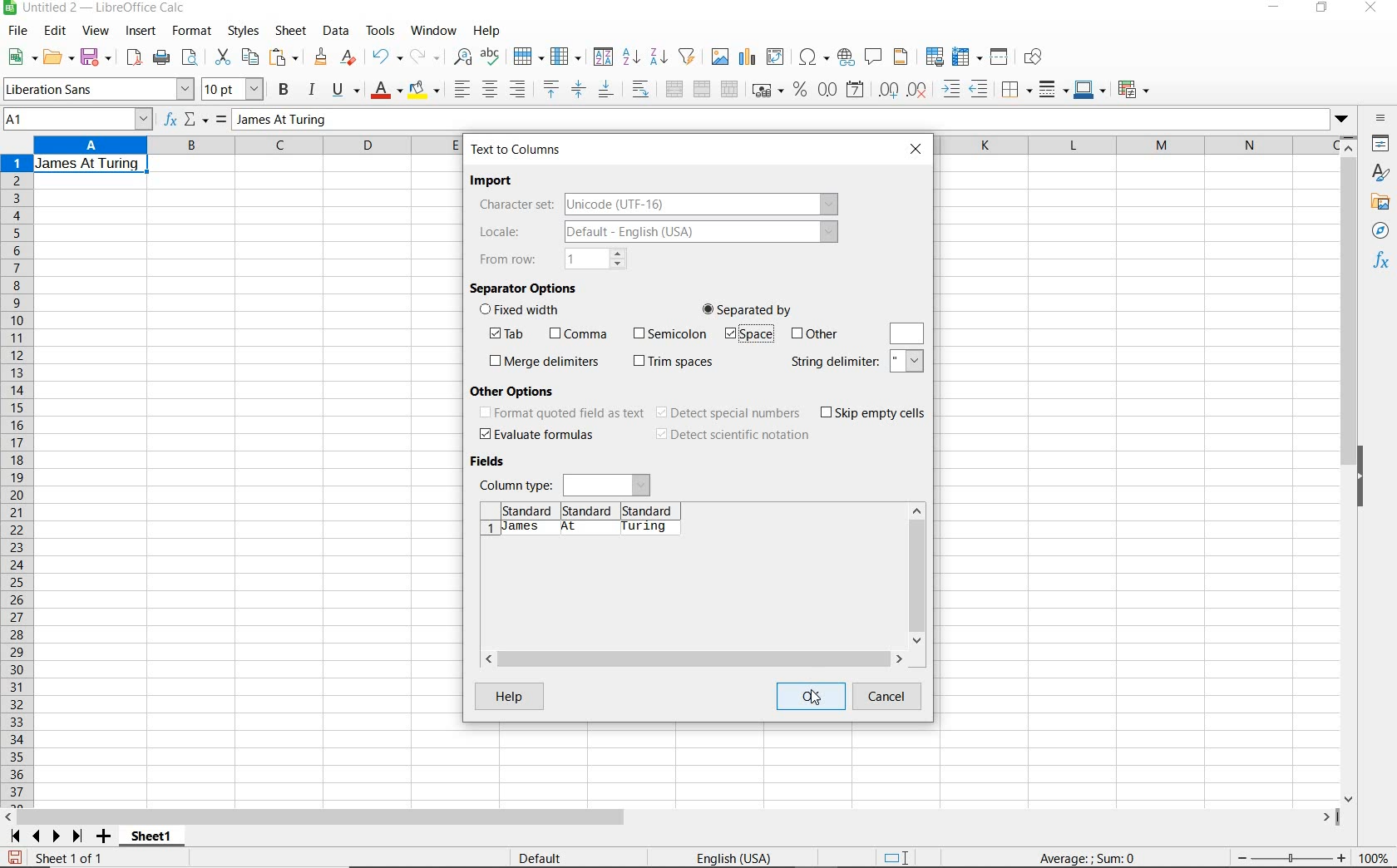  What do you see at coordinates (552, 259) in the screenshot?
I see `from row` at bounding box center [552, 259].